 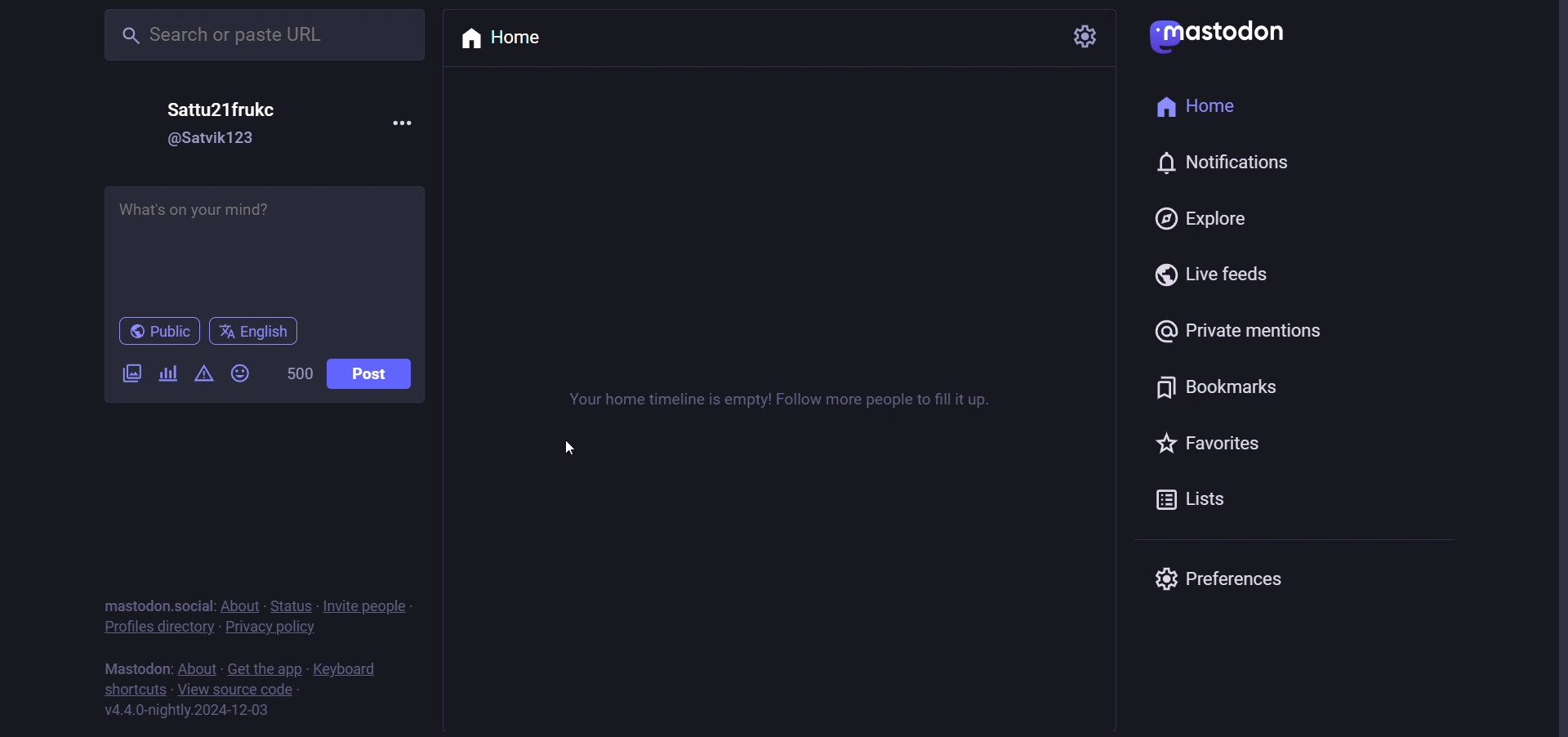 I want to click on cursor, so click(x=567, y=446).